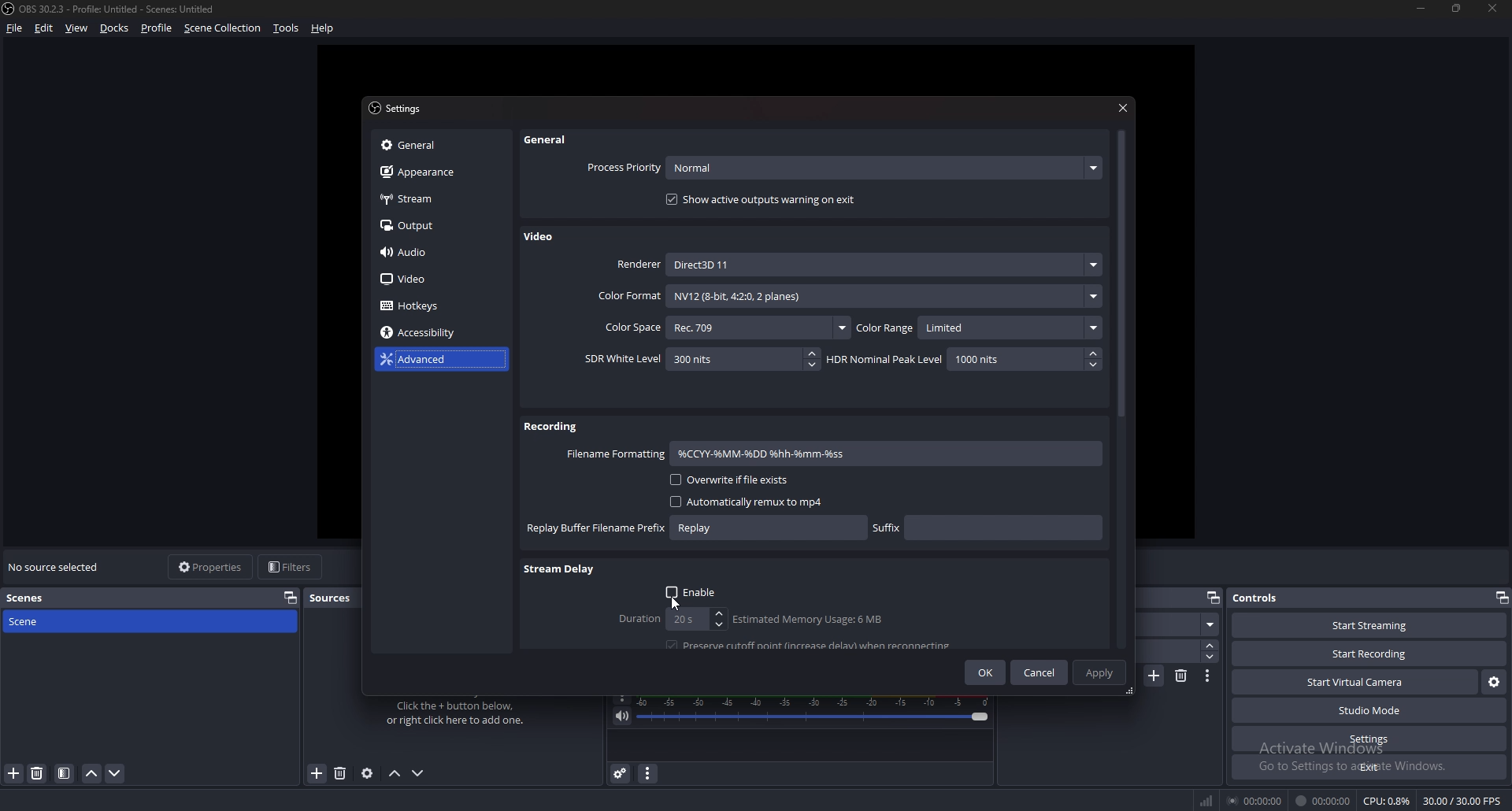 Image resolution: width=1512 pixels, height=811 pixels. Describe the element at coordinates (694, 591) in the screenshot. I see `Enable` at that location.